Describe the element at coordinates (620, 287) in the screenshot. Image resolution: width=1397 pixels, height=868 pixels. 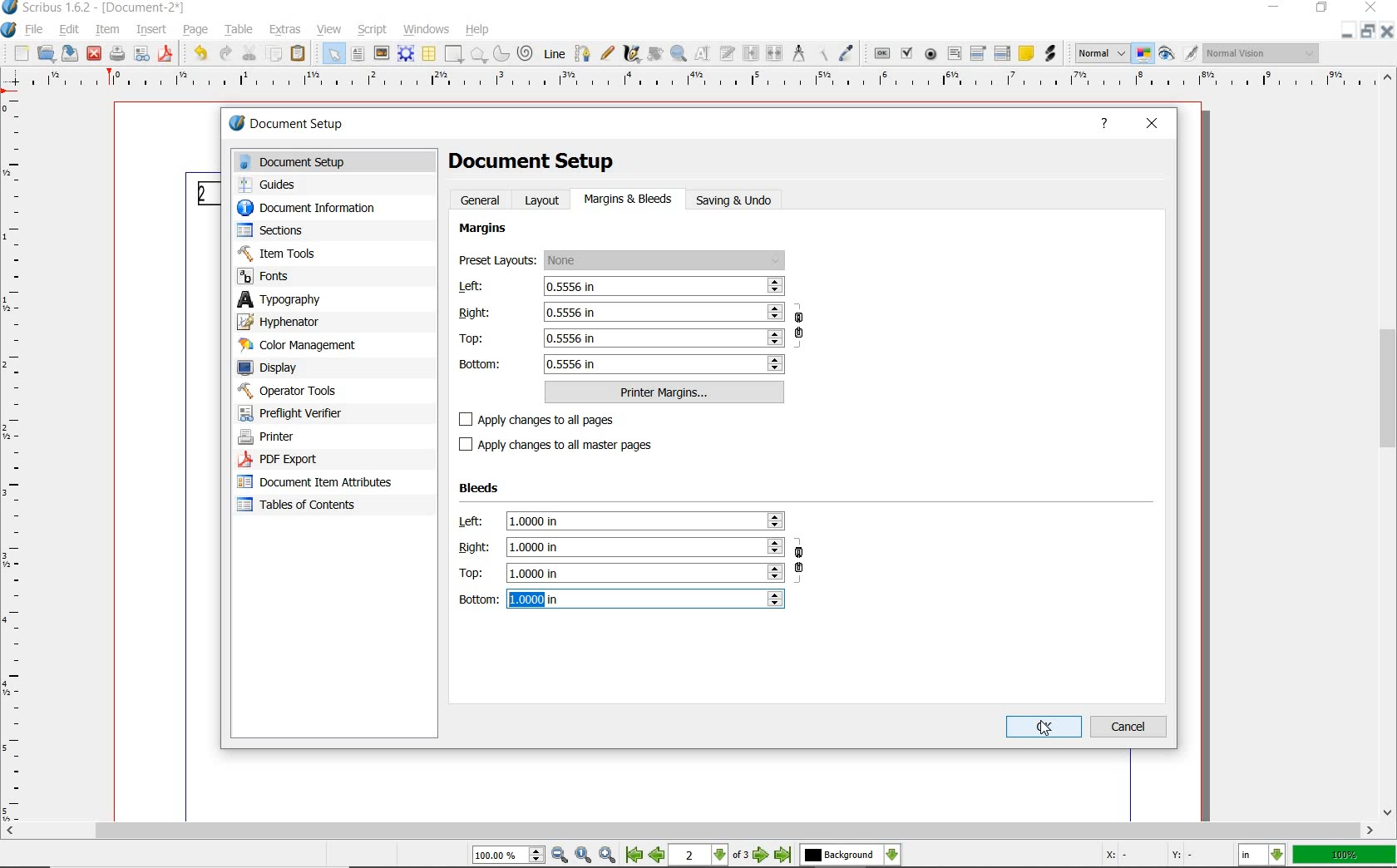
I see `left` at that location.